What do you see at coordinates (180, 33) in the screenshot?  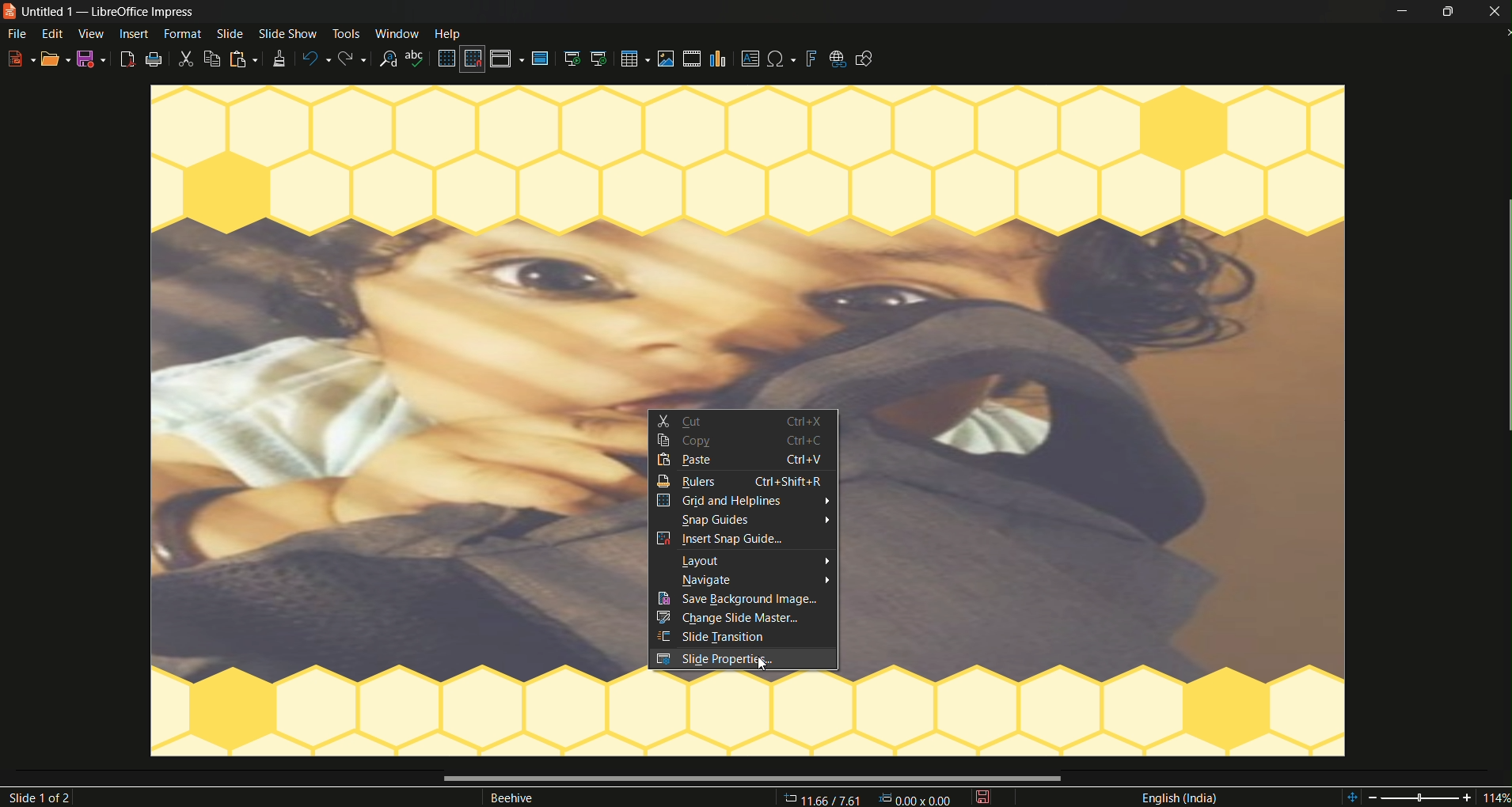 I see `format` at bounding box center [180, 33].